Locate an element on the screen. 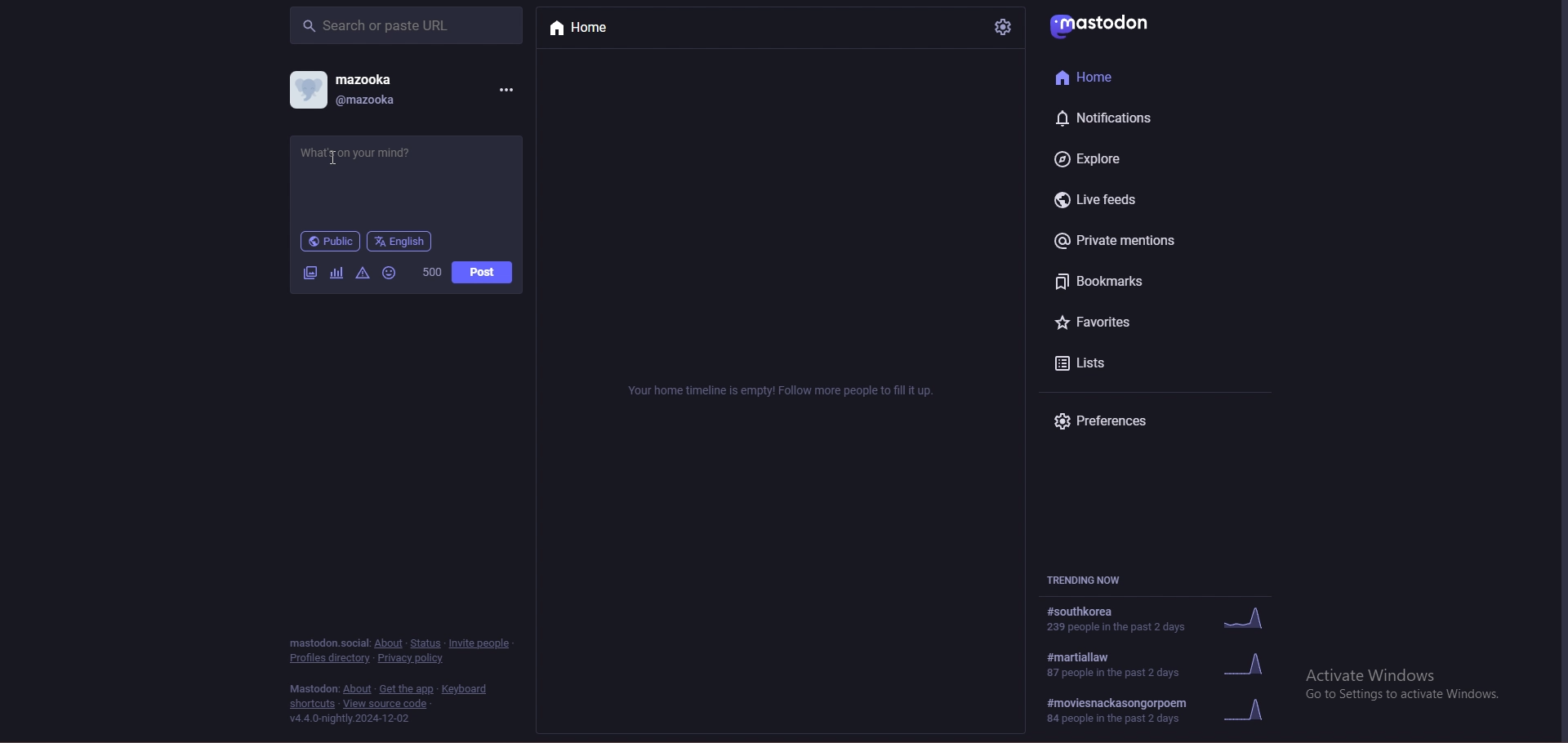 This screenshot has width=1568, height=743. get the app is located at coordinates (406, 689).